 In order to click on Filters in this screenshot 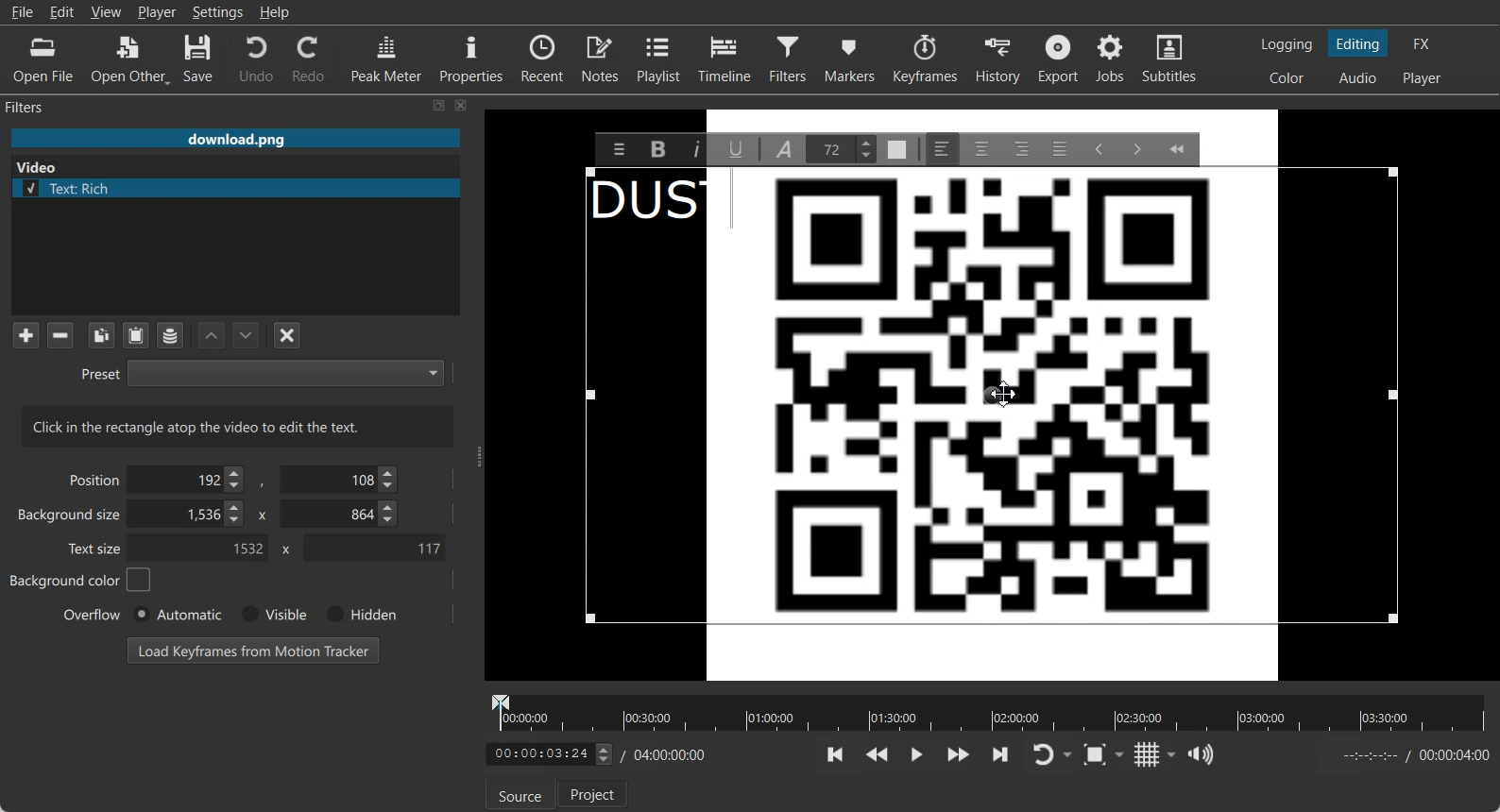, I will do `click(791, 58)`.